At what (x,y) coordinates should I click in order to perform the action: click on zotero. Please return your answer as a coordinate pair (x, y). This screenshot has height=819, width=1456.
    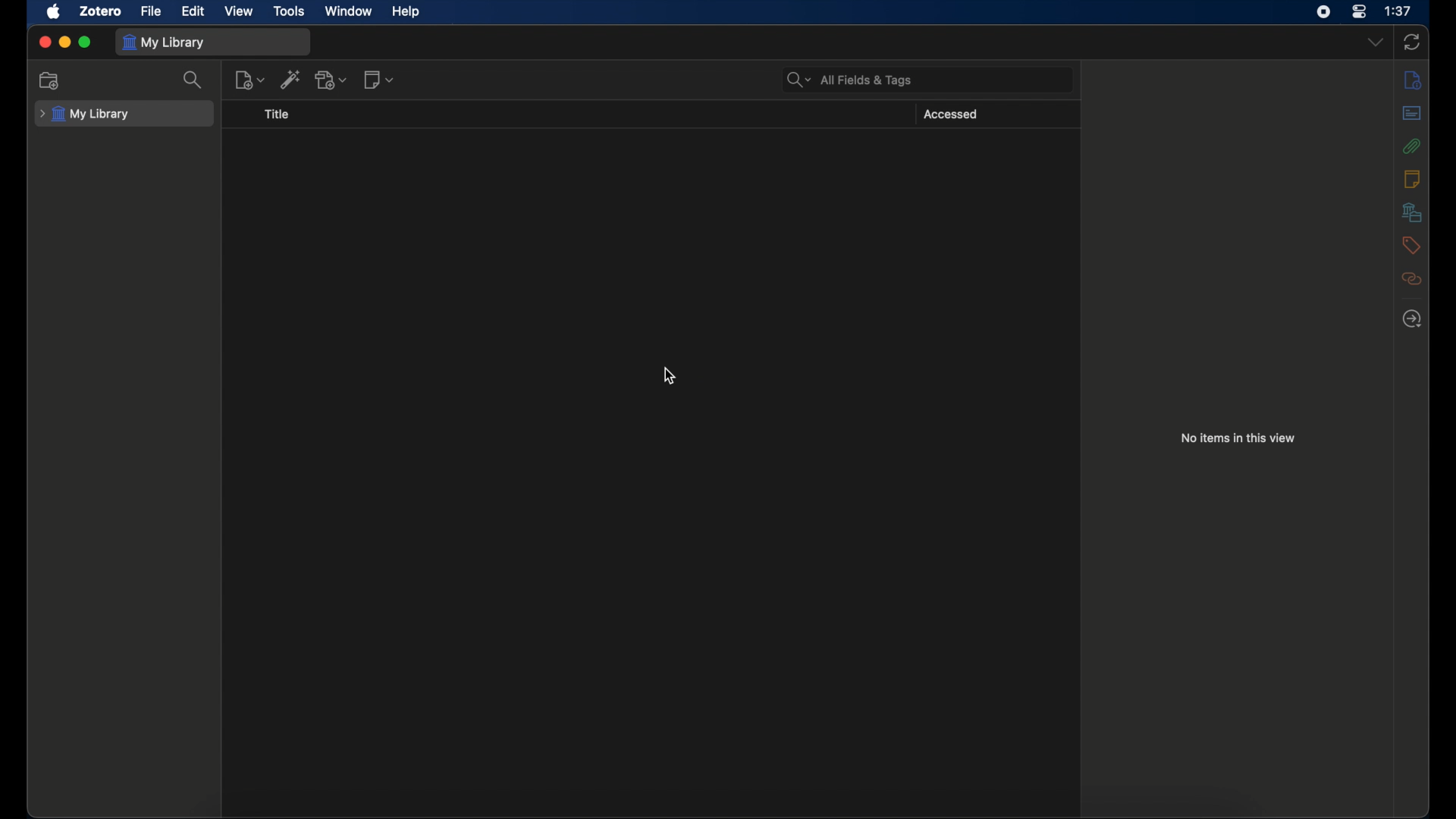
    Looking at the image, I should click on (102, 11).